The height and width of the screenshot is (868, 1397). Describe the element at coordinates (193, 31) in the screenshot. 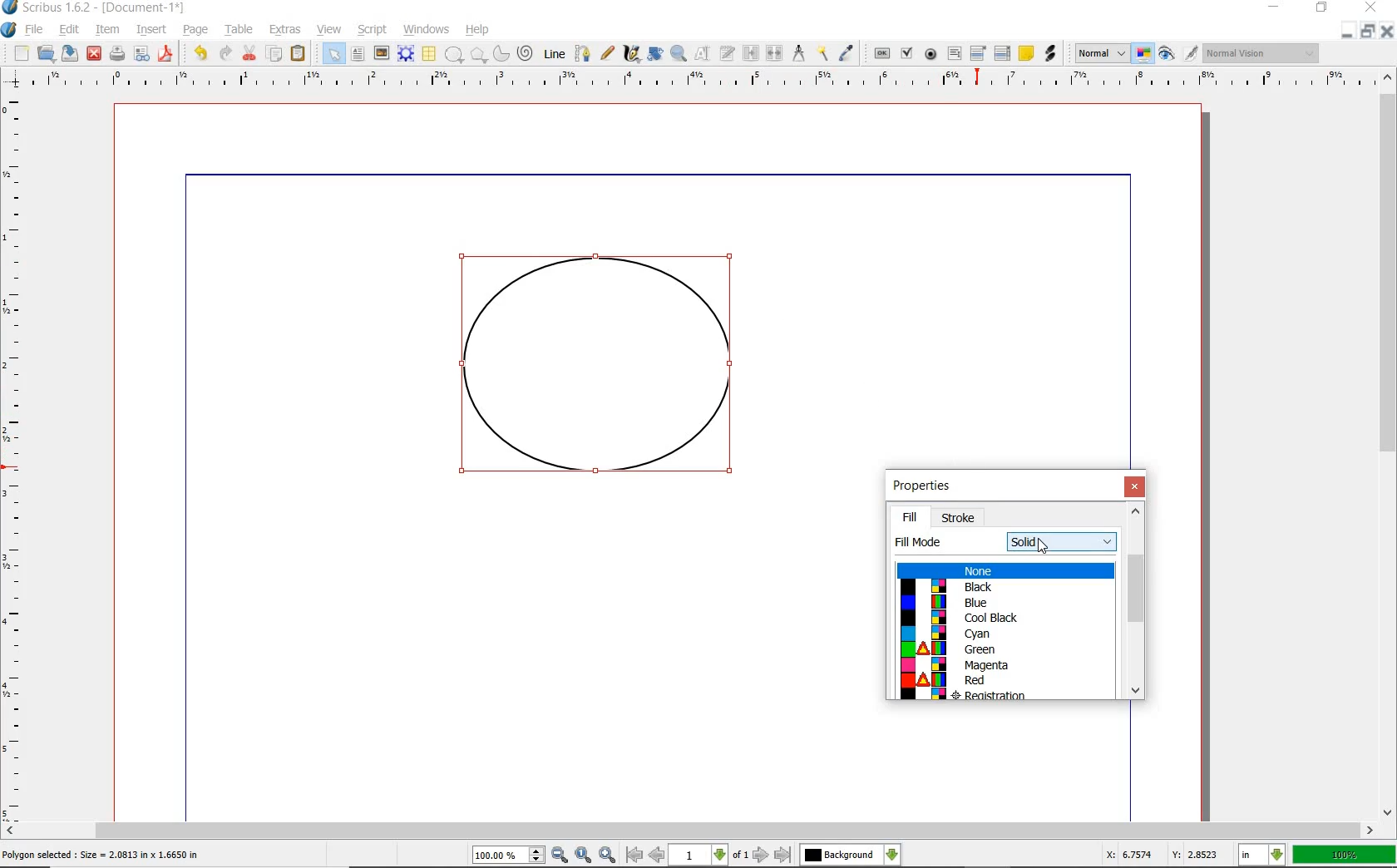

I see `PAGE` at that location.